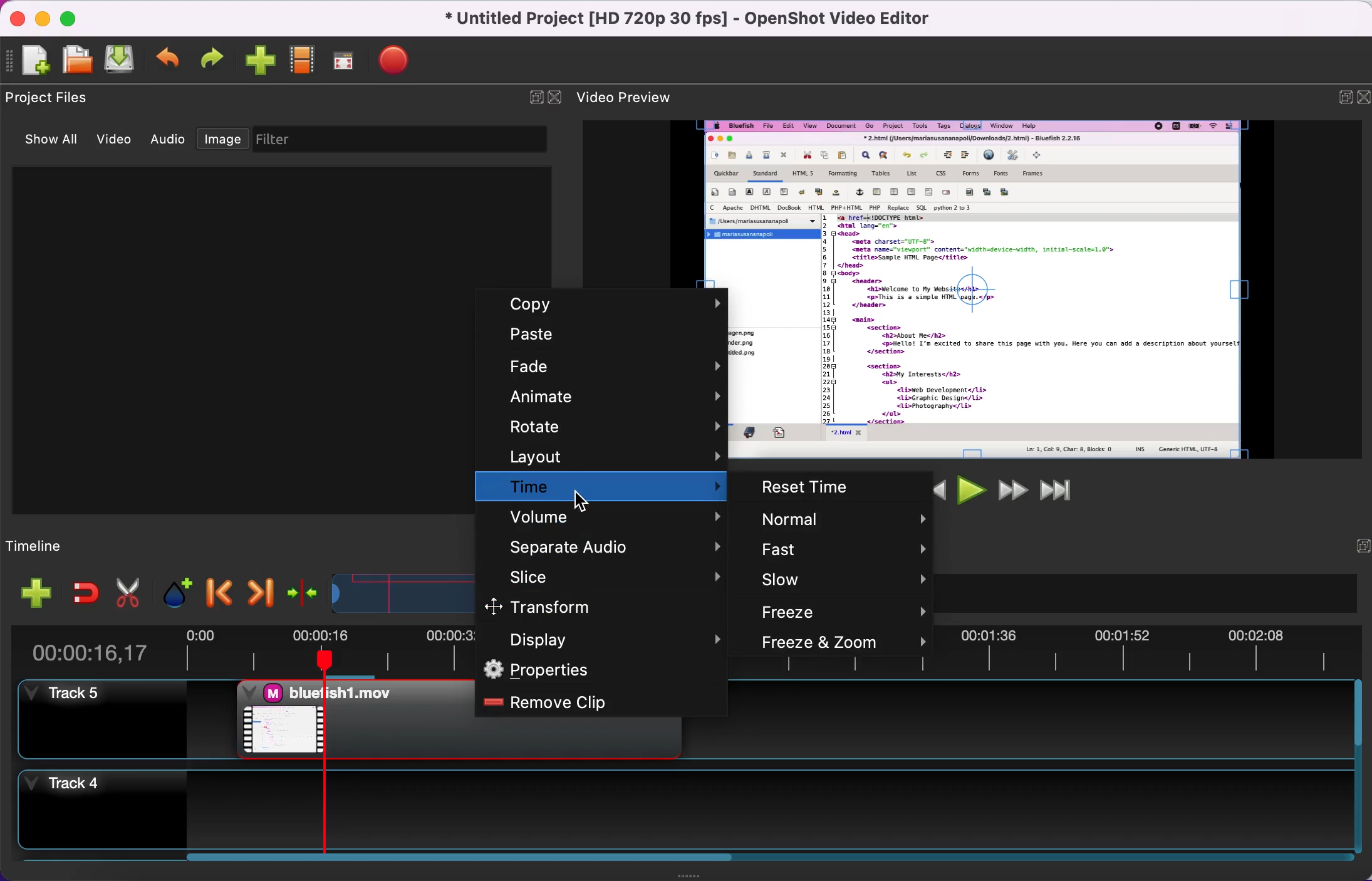 The height and width of the screenshot is (881, 1372). What do you see at coordinates (100, 720) in the screenshot?
I see `track 5` at bounding box center [100, 720].